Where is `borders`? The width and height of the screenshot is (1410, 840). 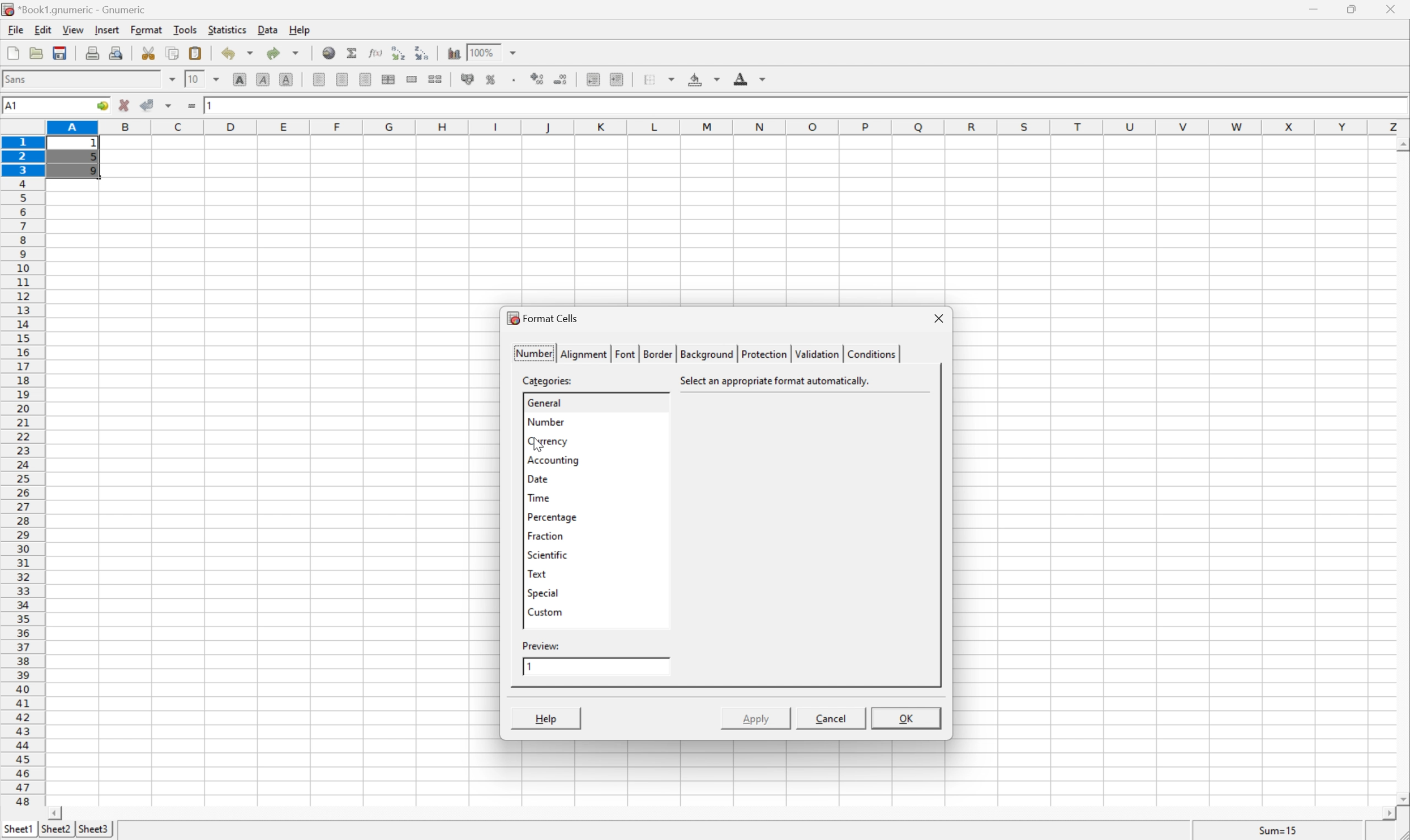 borders is located at coordinates (657, 79).